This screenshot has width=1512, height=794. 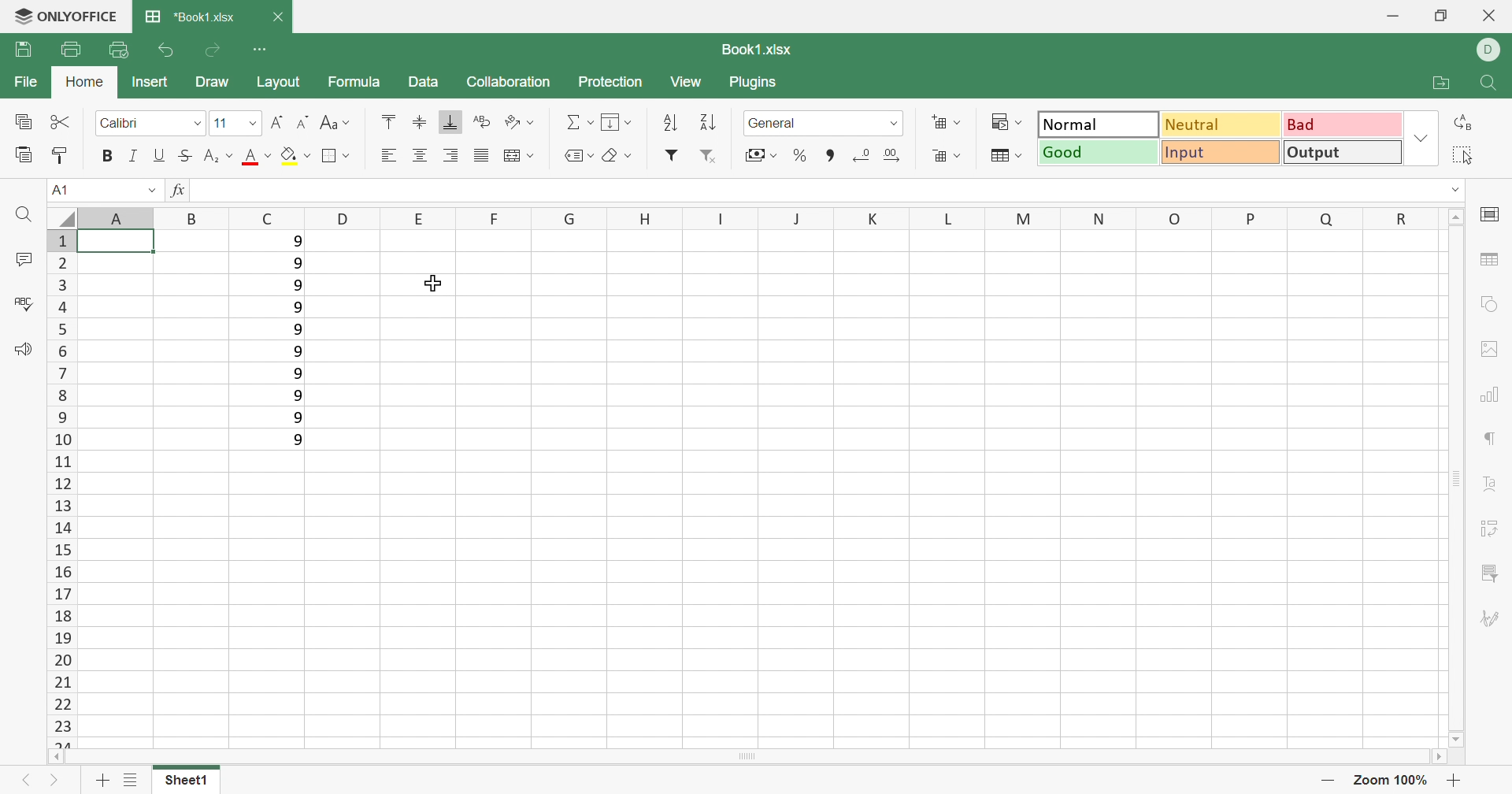 What do you see at coordinates (152, 83) in the screenshot?
I see `Insert` at bounding box center [152, 83].